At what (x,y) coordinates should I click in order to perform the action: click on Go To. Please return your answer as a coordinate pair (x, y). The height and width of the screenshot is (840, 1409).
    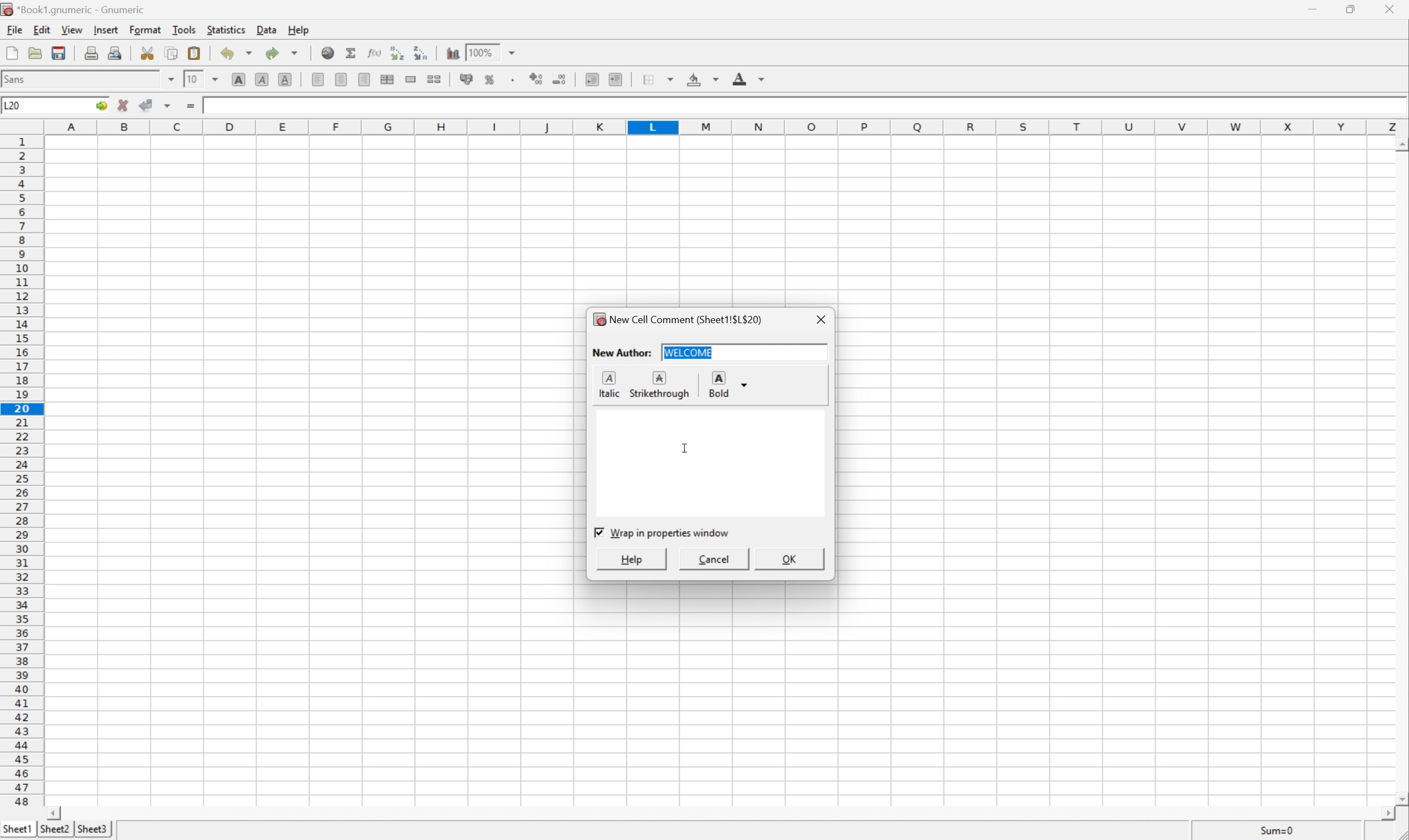
    Looking at the image, I should click on (101, 106).